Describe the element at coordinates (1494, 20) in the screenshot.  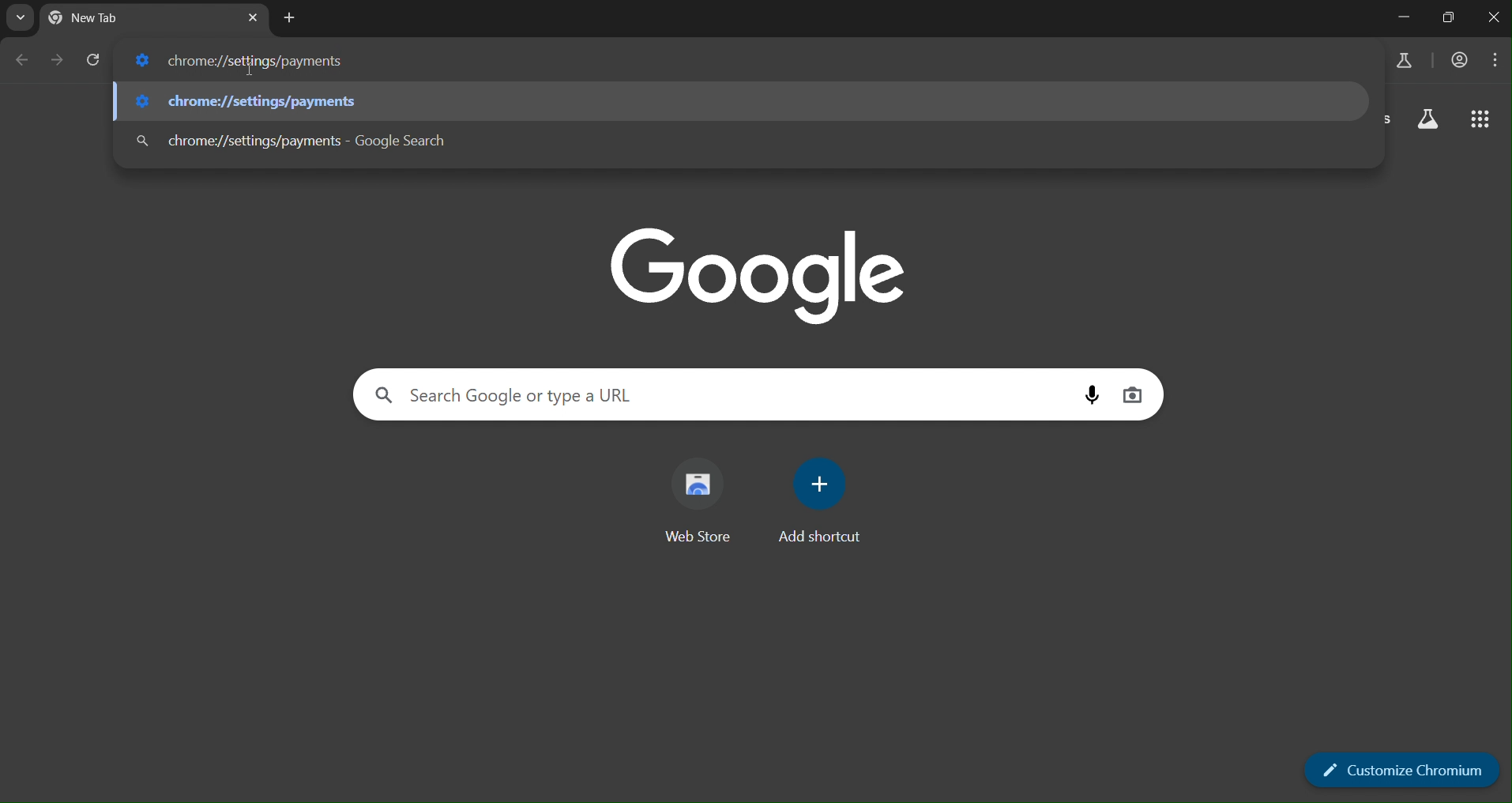
I see `close` at that location.